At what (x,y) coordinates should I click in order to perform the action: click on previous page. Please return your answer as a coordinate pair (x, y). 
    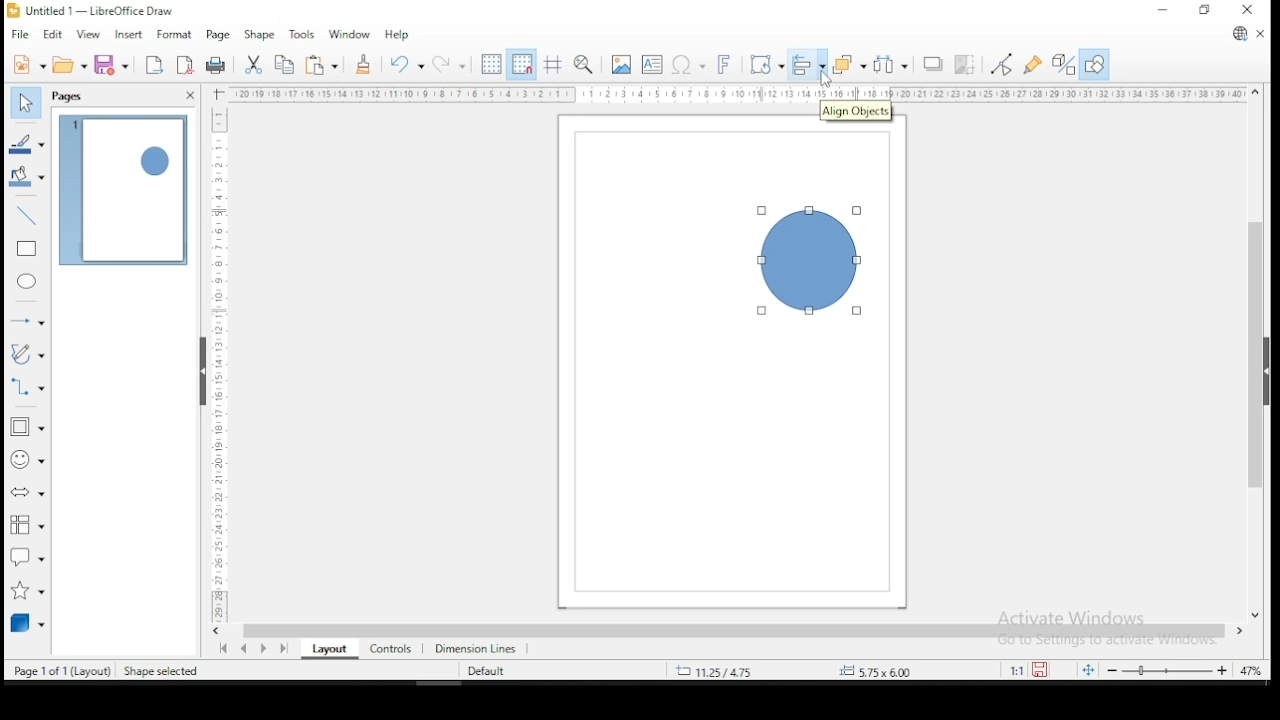
    Looking at the image, I should click on (247, 648).